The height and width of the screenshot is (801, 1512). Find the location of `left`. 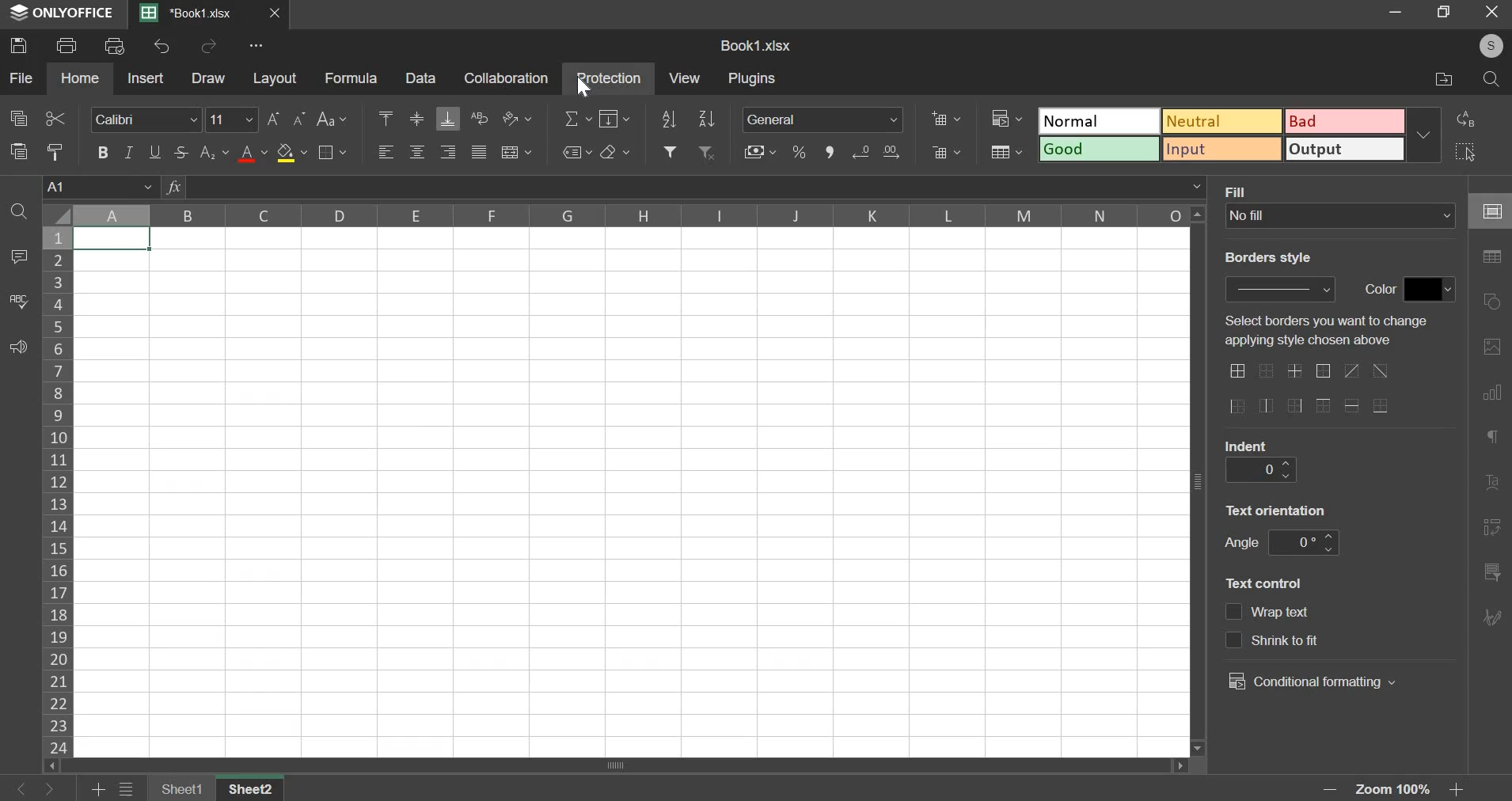

left is located at coordinates (24, 790).